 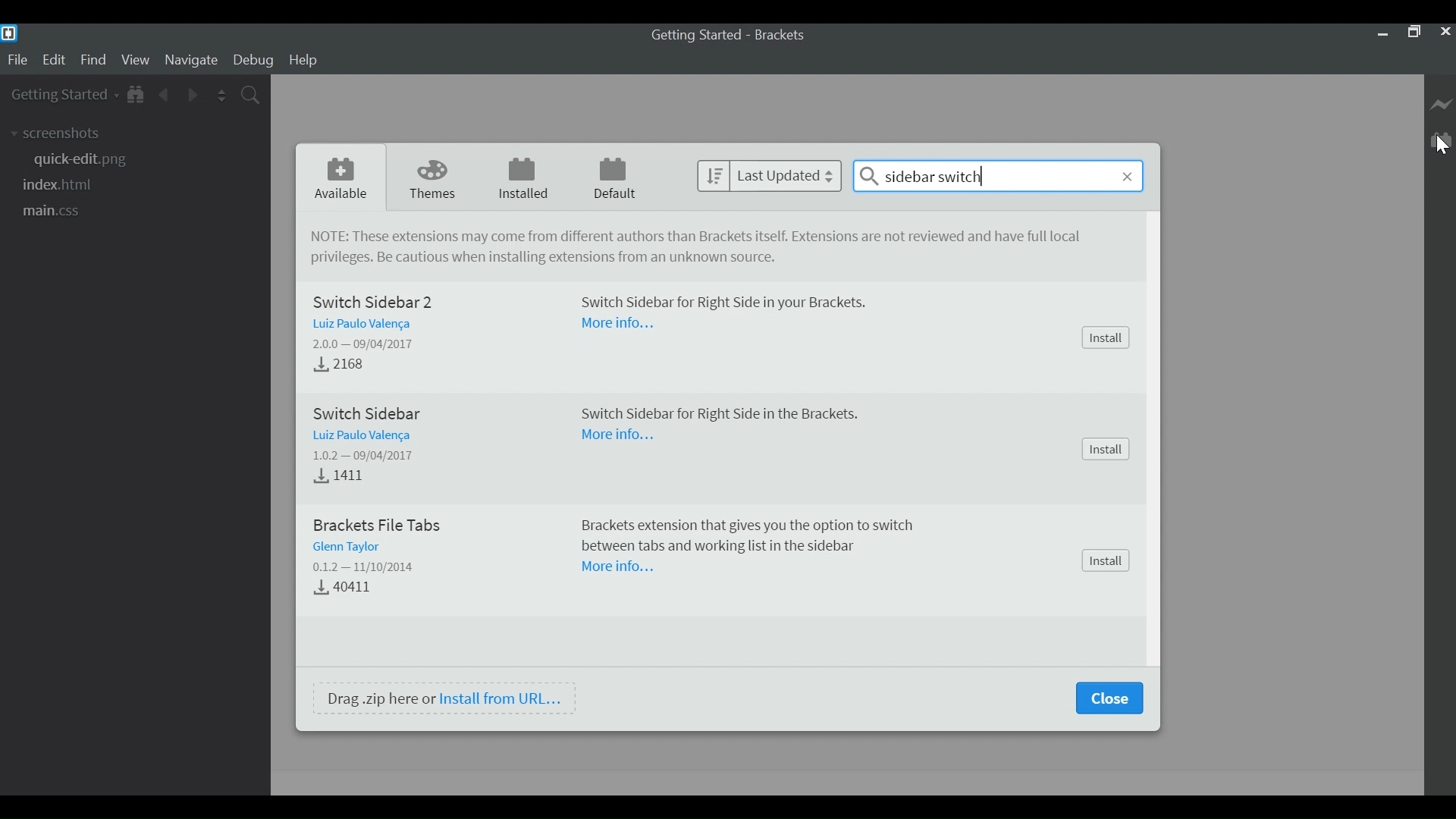 What do you see at coordinates (1382, 33) in the screenshot?
I see `minimize` at bounding box center [1382, 33].